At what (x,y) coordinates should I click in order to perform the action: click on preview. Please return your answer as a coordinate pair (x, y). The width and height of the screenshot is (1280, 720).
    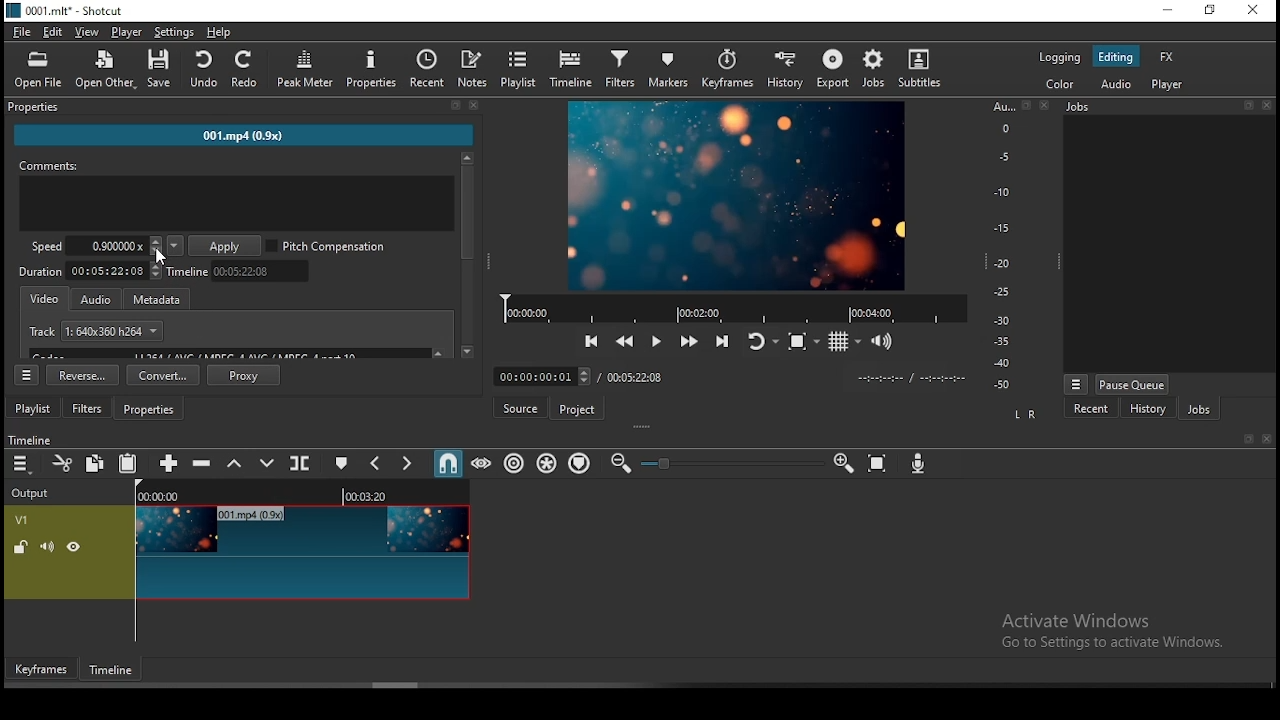
    Looking at the image, I should click on (737, 193).